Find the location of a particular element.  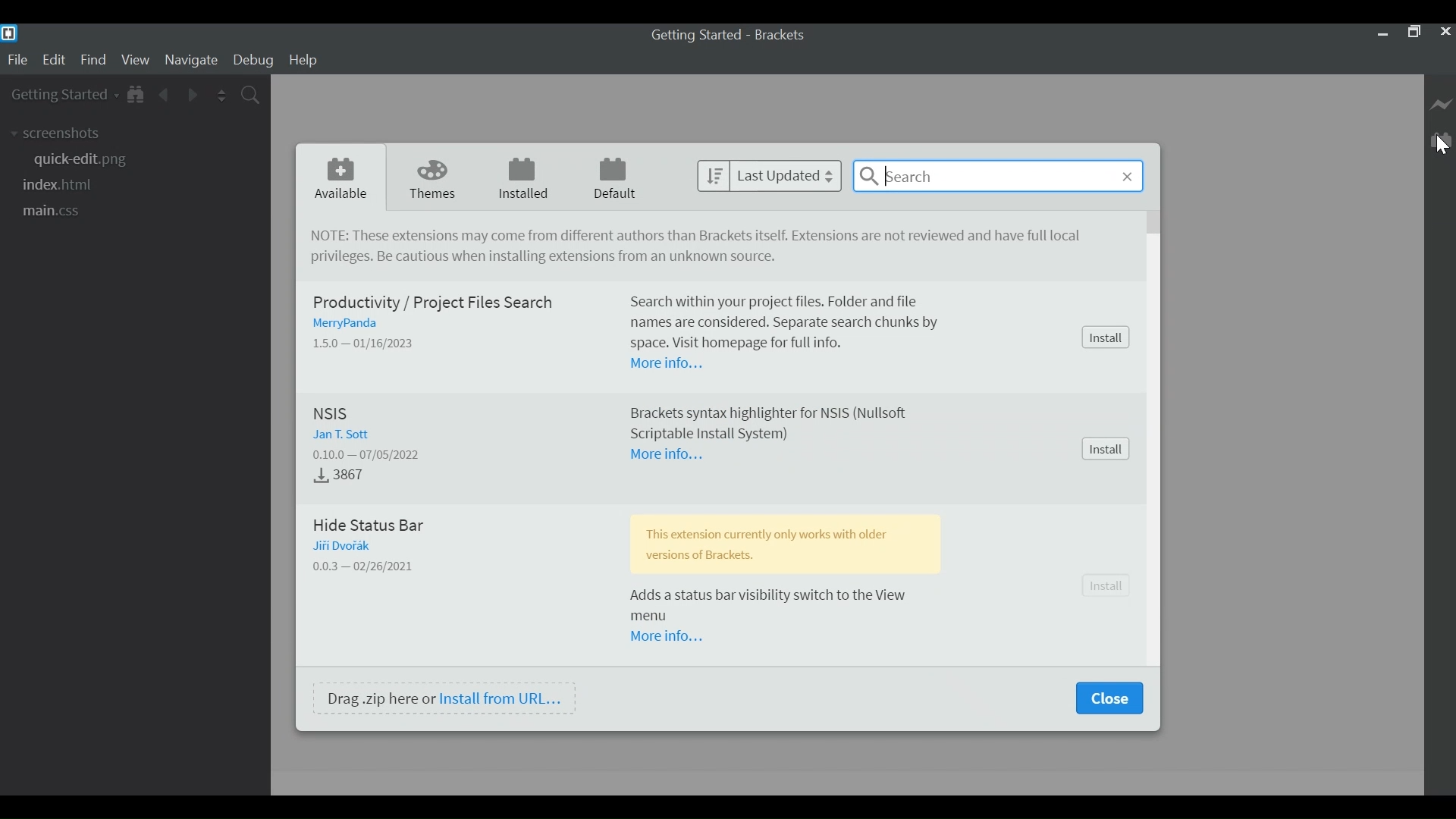

Search is located at coordinates (999, 176).